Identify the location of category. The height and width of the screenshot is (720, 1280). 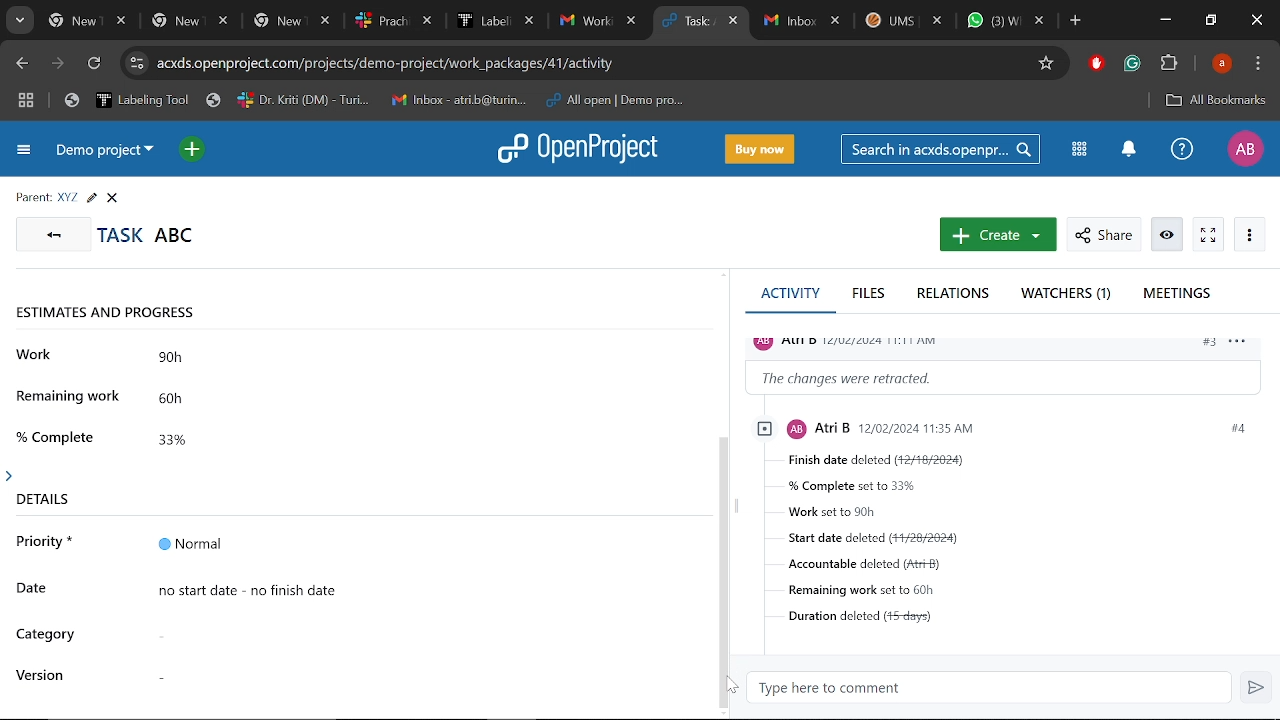
(47, 636).